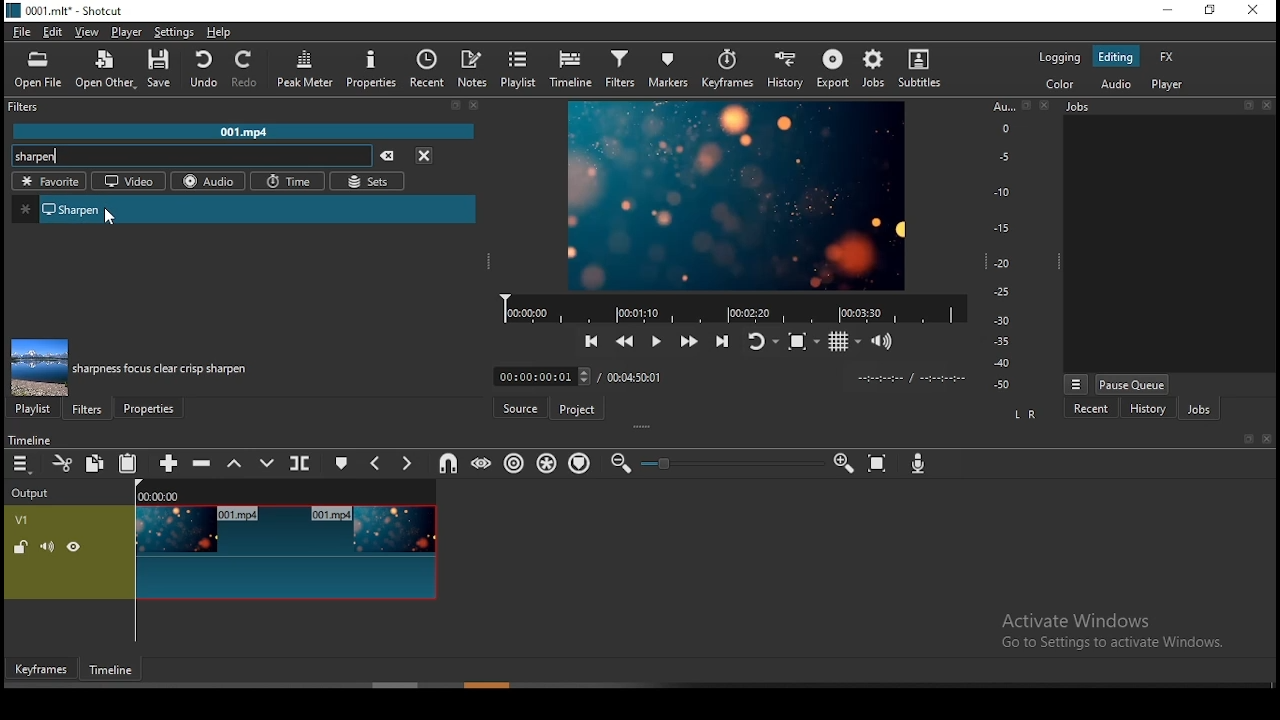  I want to click on favorites, so click(48, 181).